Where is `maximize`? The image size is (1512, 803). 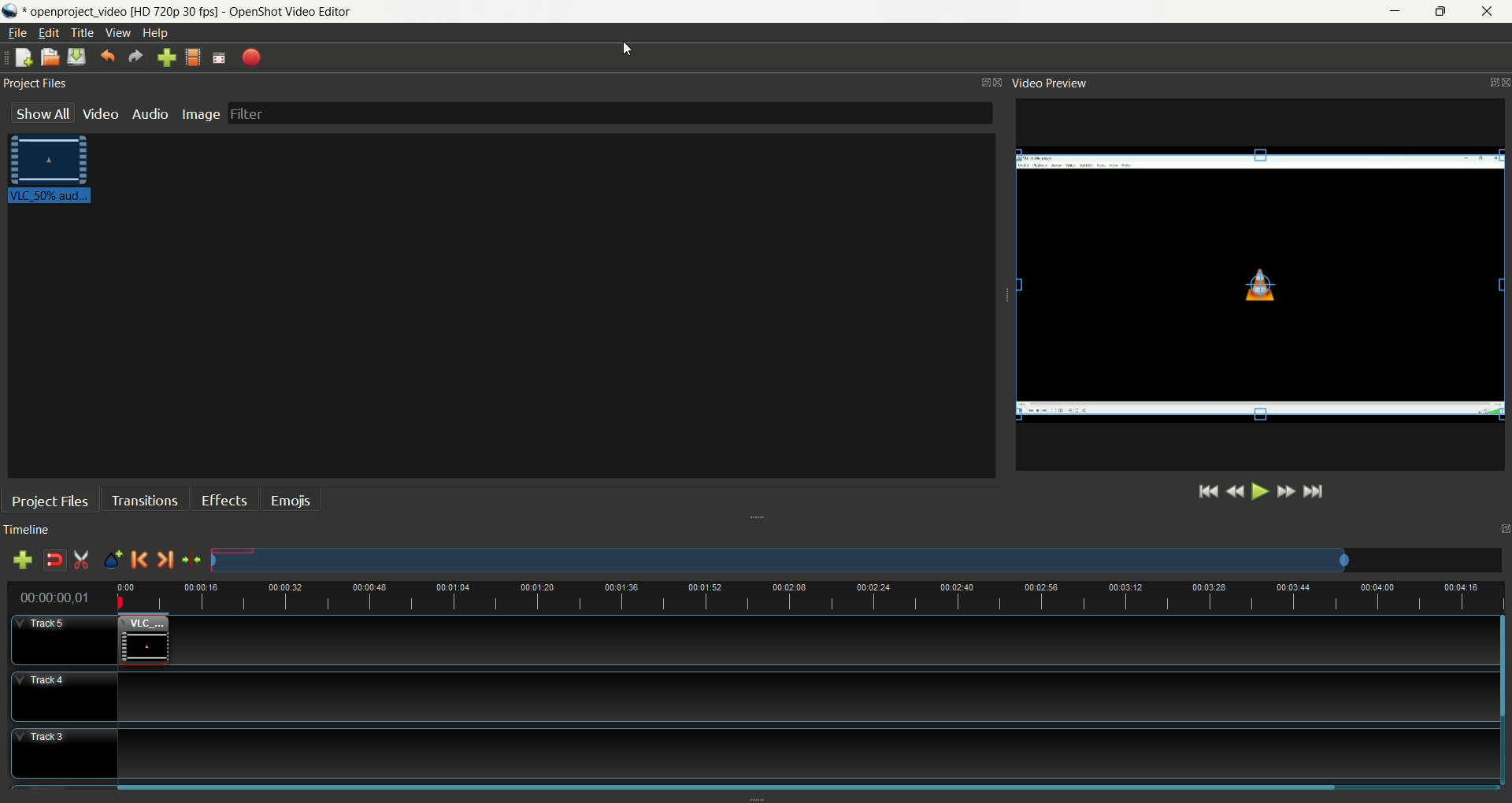
maximize is located at coordinates (1443, 12).